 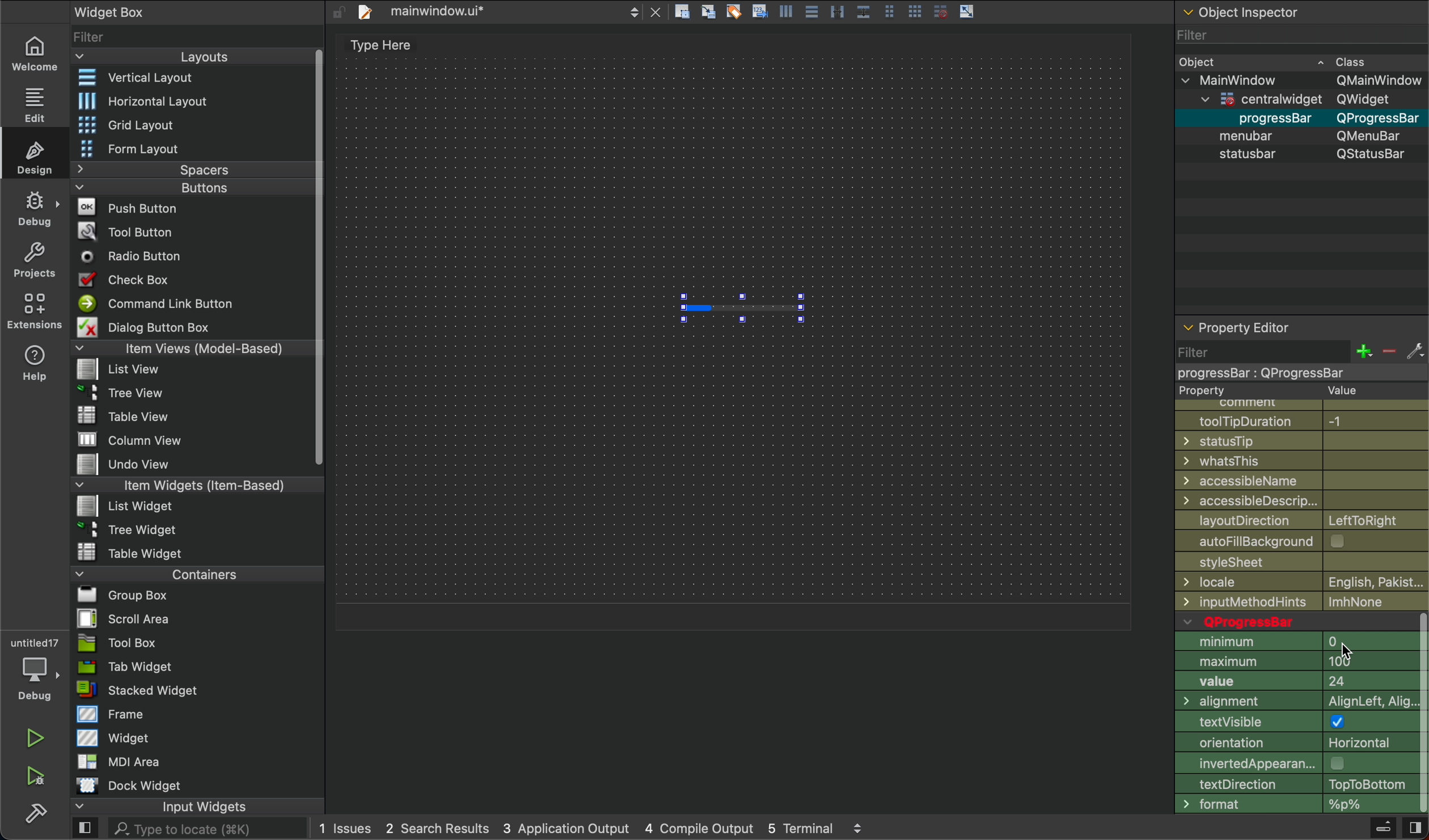 What do you see at coordinates (1240, 323) in the screenshot?
I see `property editor` at bounding box center [1240, 323].